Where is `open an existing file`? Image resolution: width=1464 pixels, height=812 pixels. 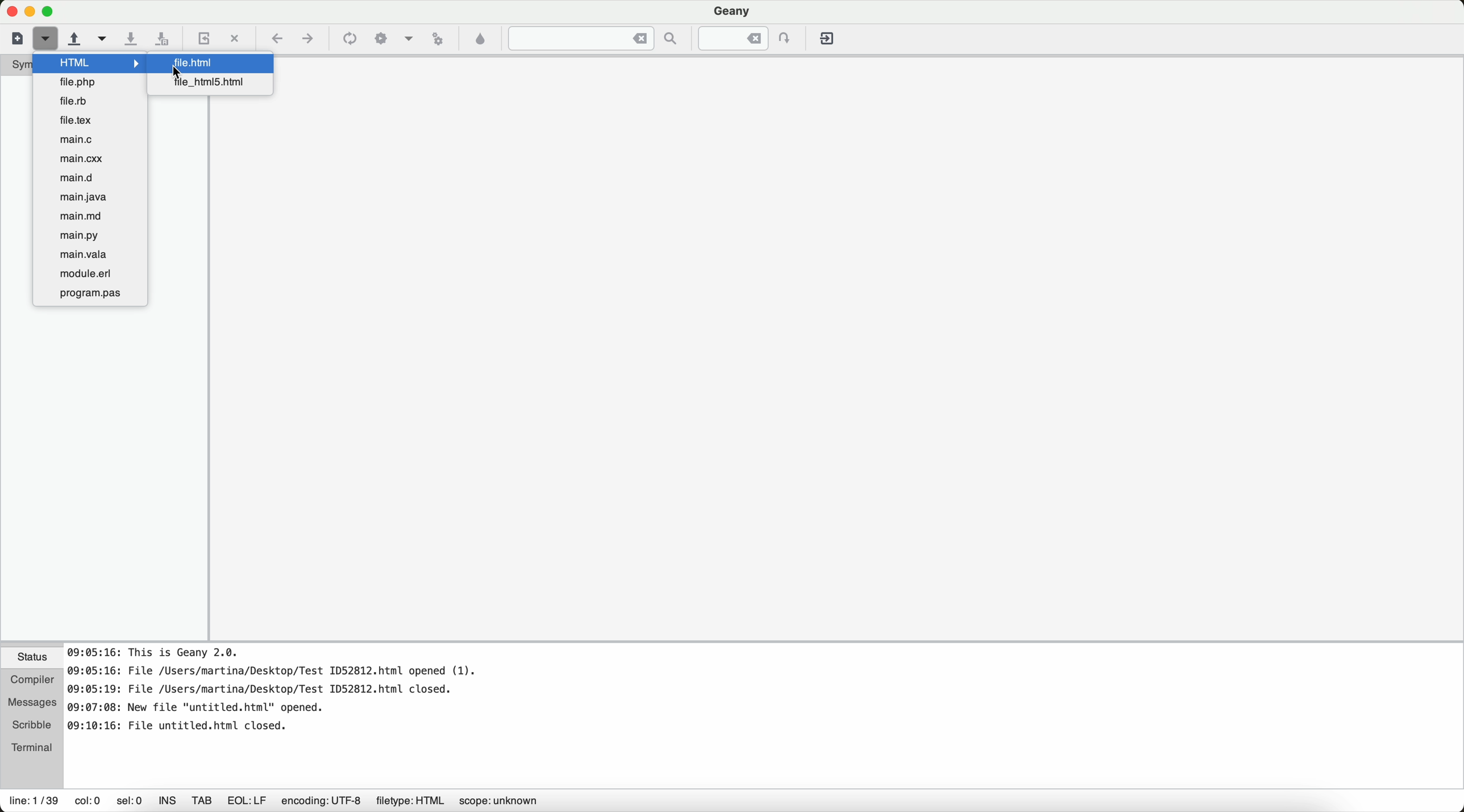 open an existing file is located at coordinates (73, 38).